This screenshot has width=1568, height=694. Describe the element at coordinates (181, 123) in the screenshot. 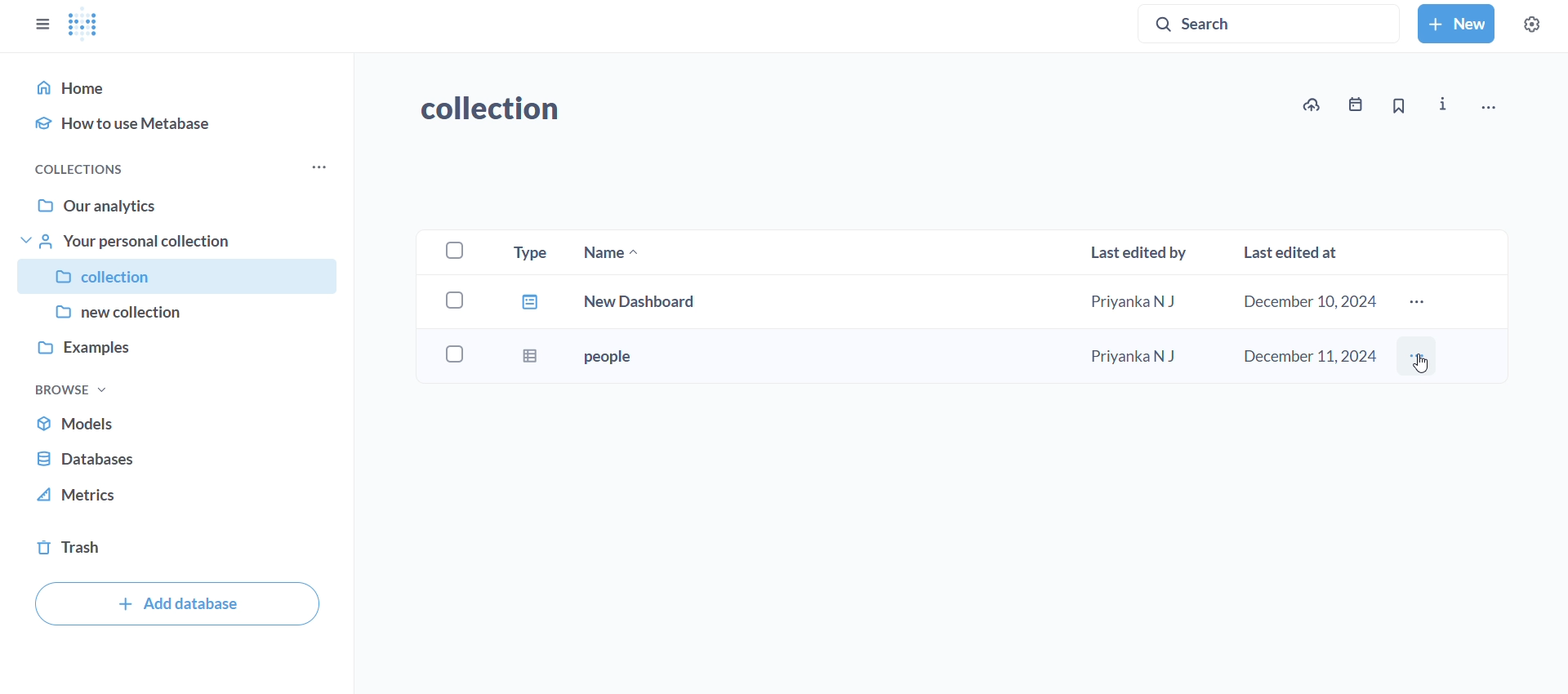

I see `how to use metabase ` at that location.